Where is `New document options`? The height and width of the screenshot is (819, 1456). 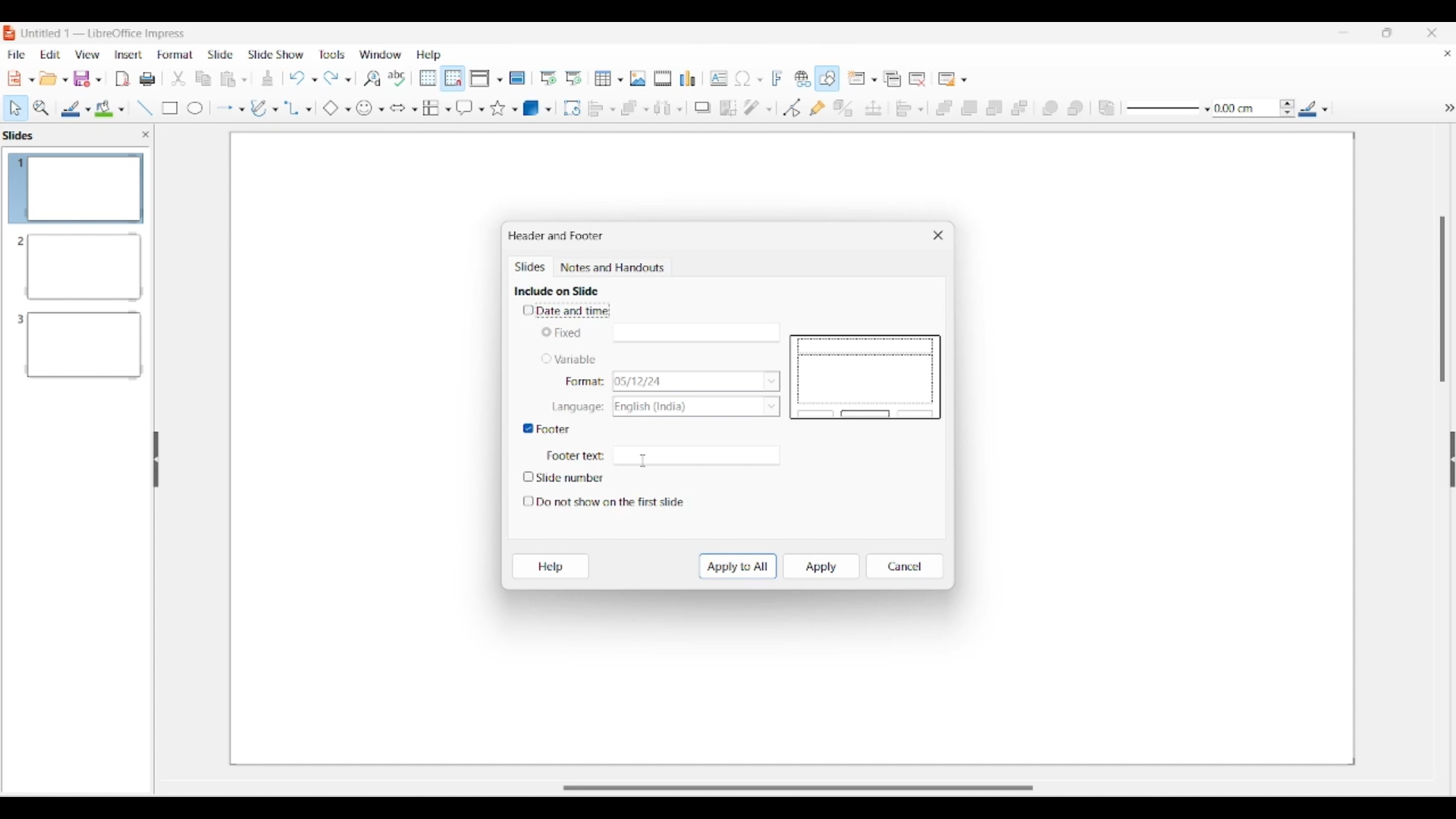
New document options is located at coordinates (21, 79).